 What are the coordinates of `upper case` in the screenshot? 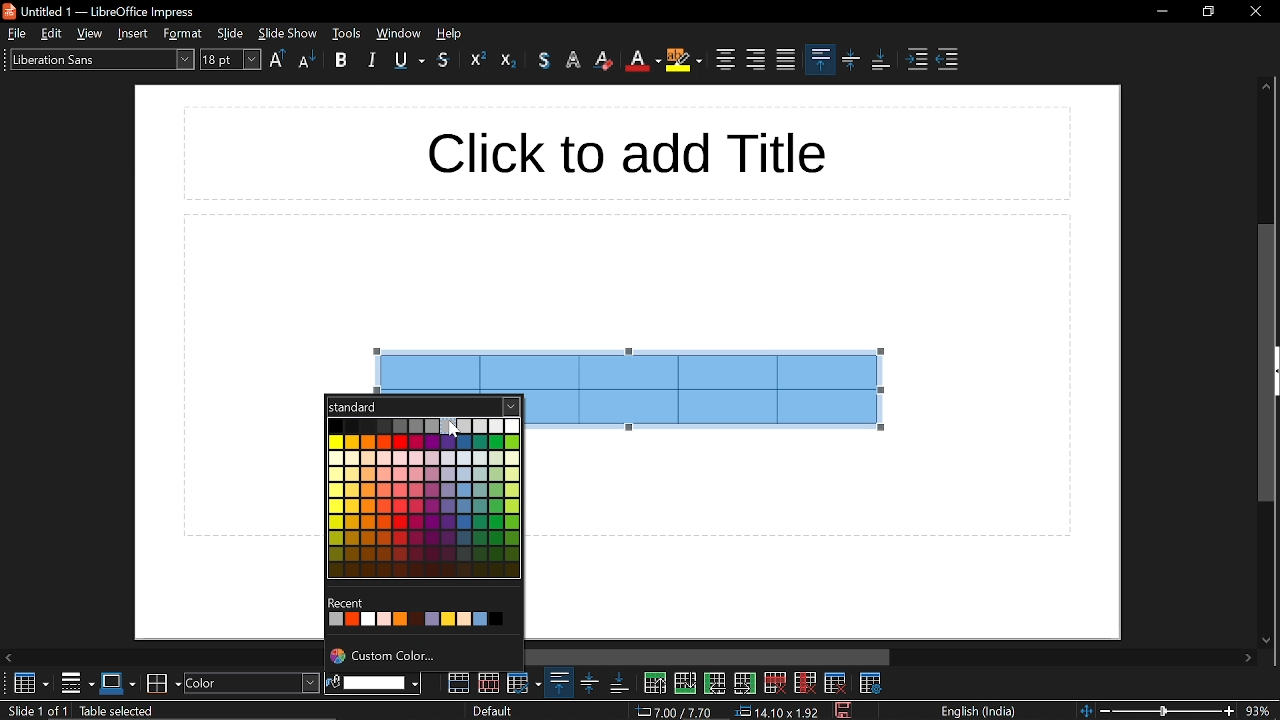 It's located at (277, 58).